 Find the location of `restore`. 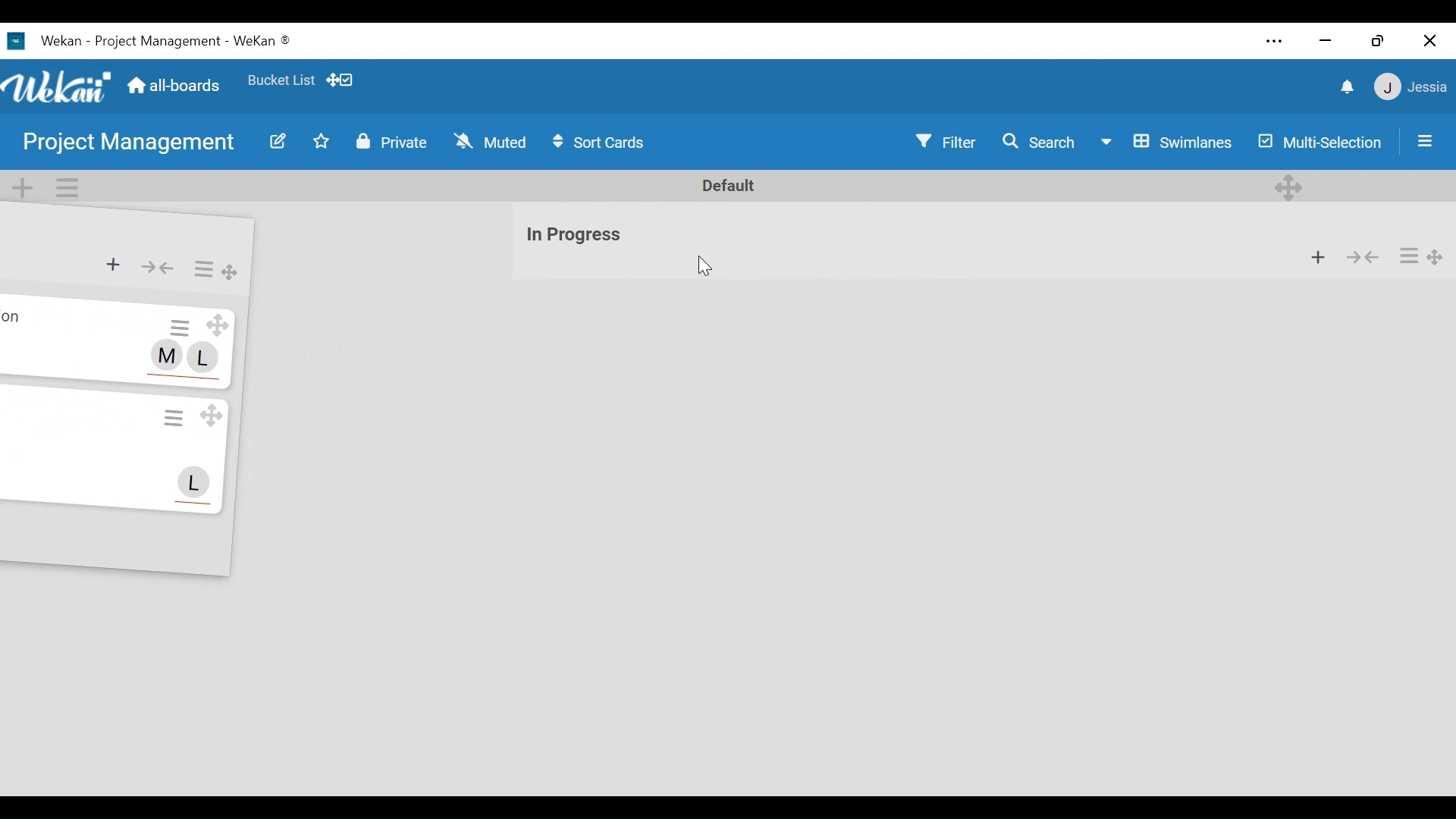

restore is located at coordinates (1377, 41).